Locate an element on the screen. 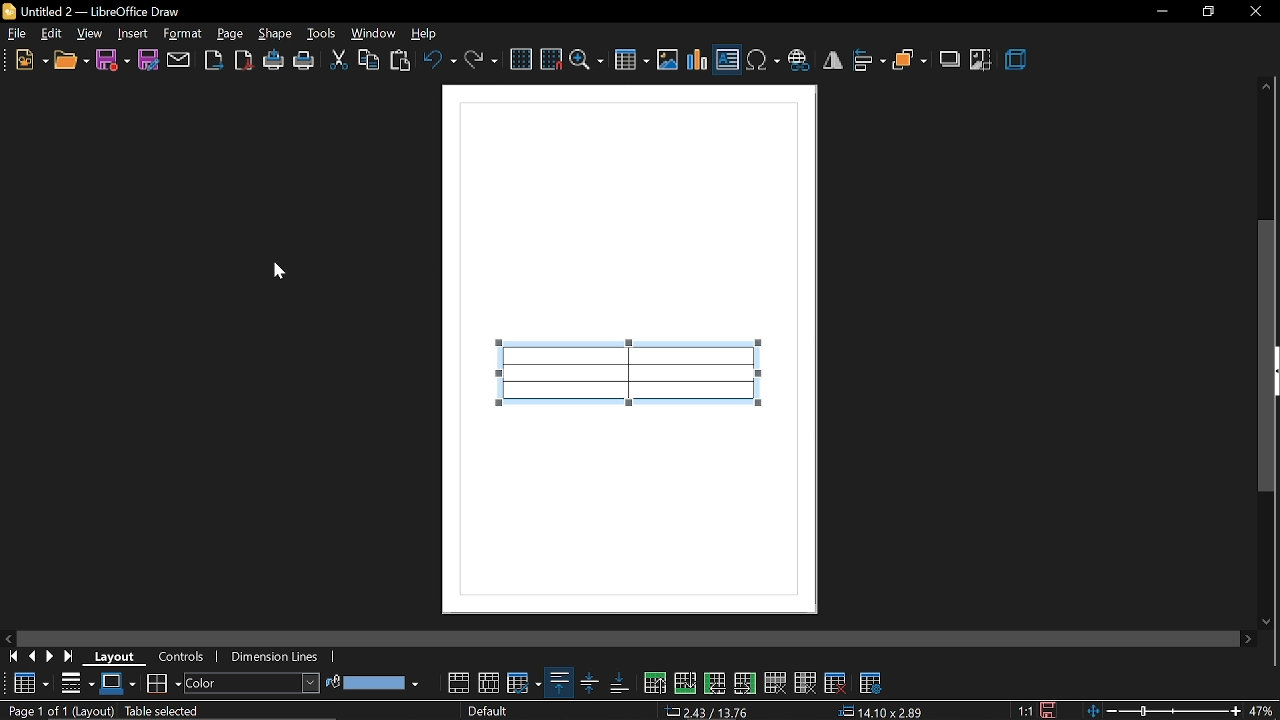 Image resolution: width=1280 pixels, height=720 pixels. zoom is located at coordinates (587, 60).